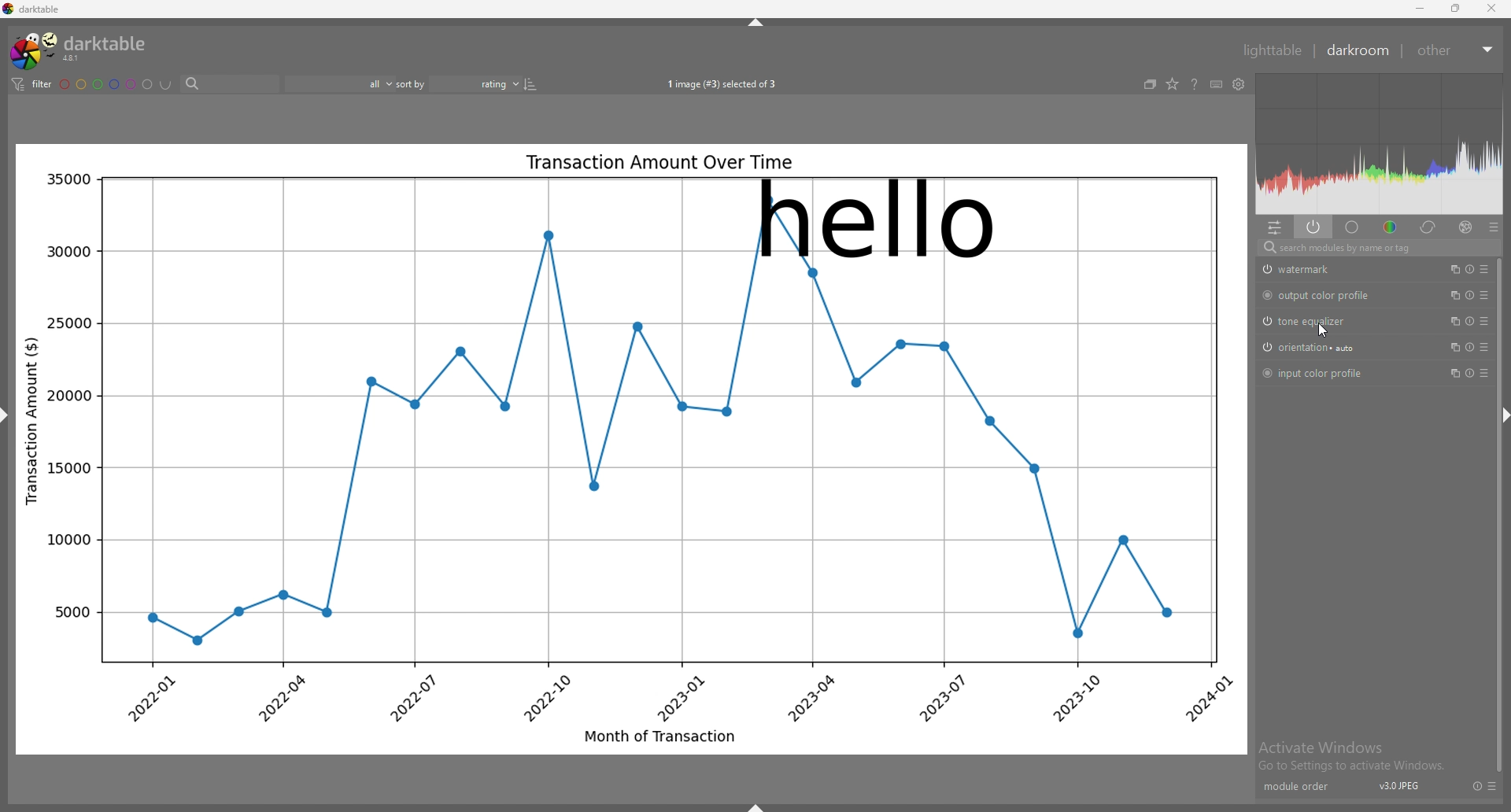 Image resolution: width=1511 pixels, height=812 pixels. Describe the element at coordinates (545, 697) in the screenshot. I see `2022-10` at that location.